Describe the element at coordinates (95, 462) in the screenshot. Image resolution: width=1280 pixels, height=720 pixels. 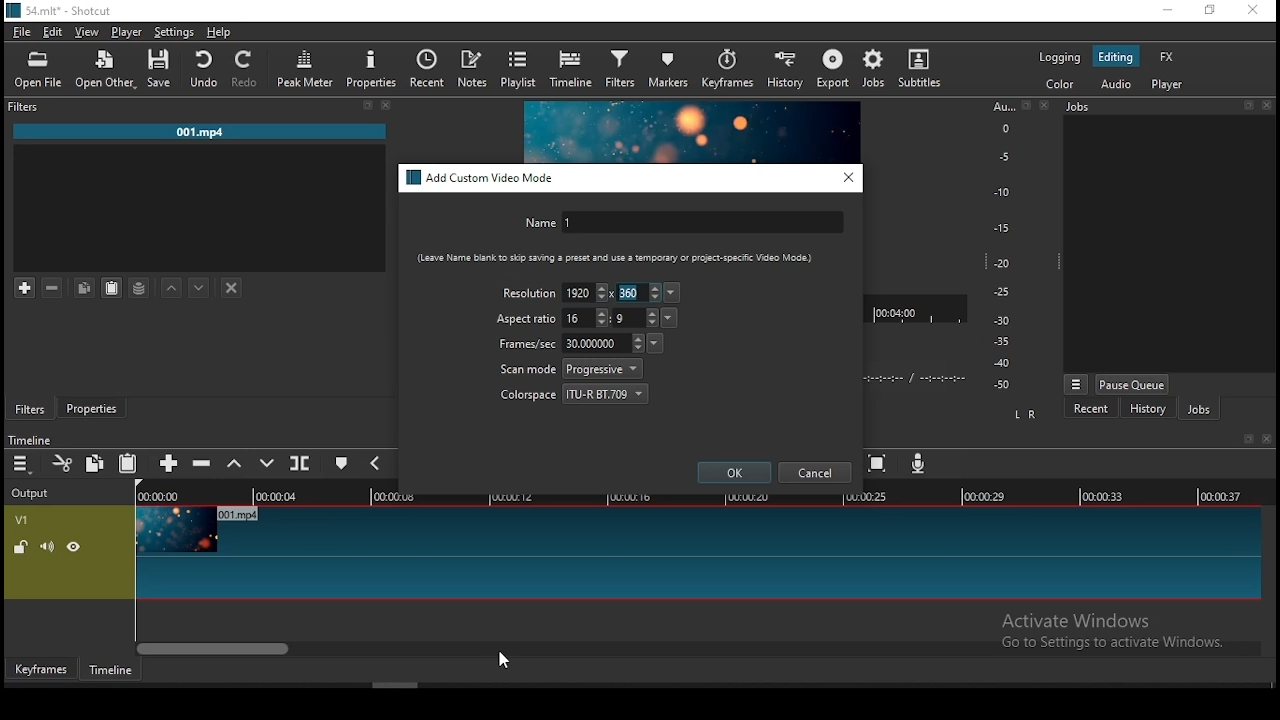
I see `copy` at that location.